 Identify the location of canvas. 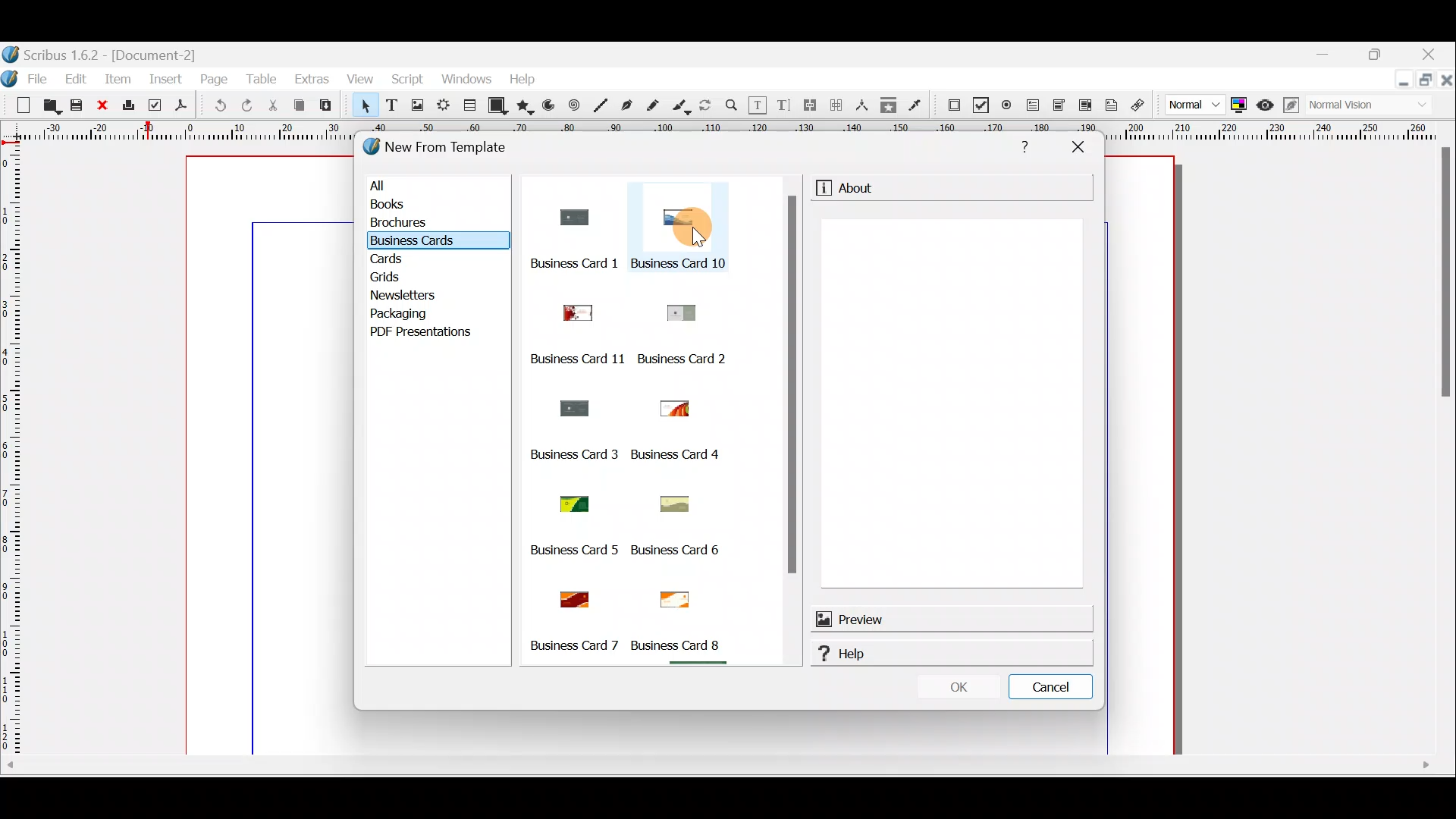
(1143, 456).